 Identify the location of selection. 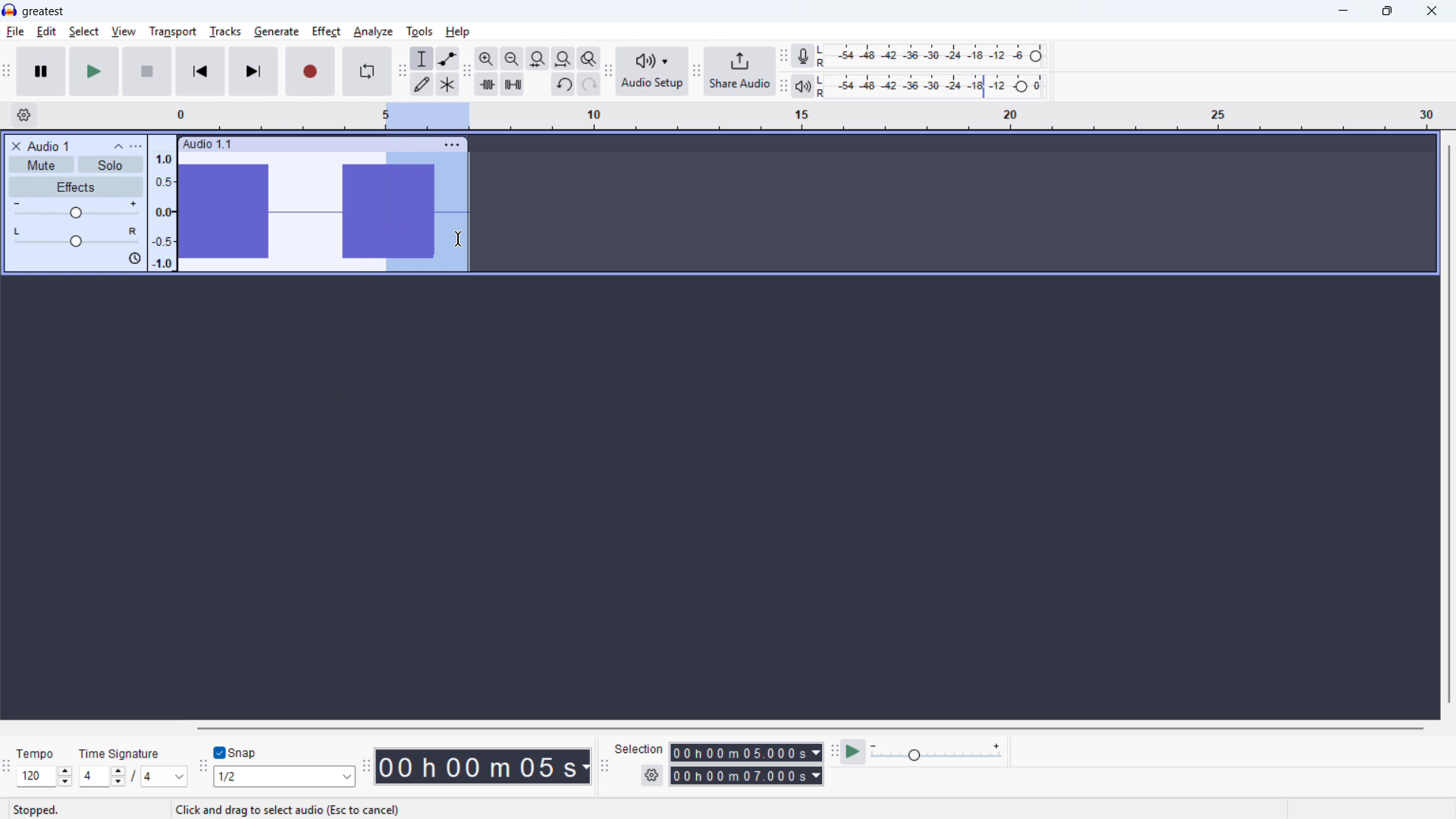
(639, 749).